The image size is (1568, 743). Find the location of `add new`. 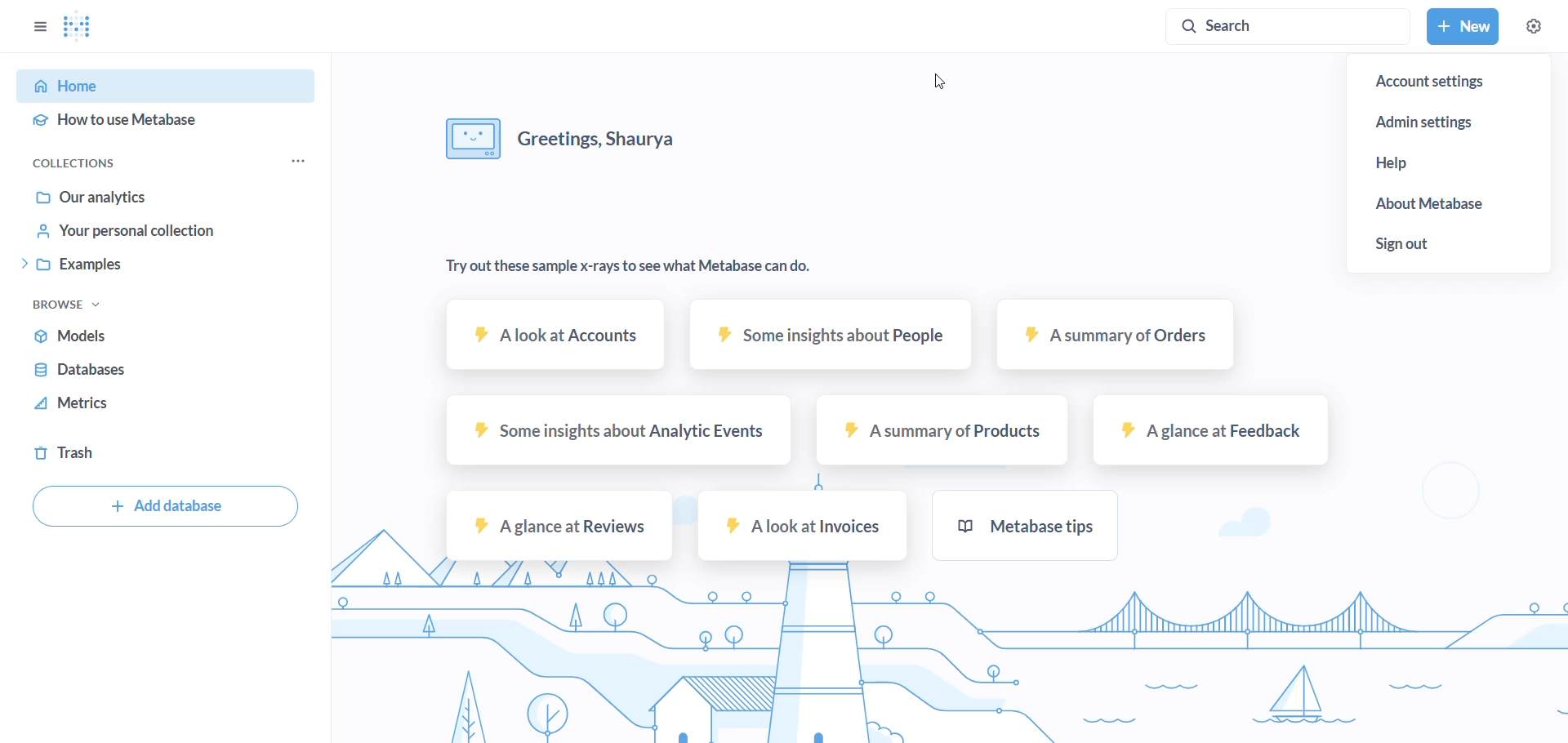

add new is located at coordinates (1459, 27).